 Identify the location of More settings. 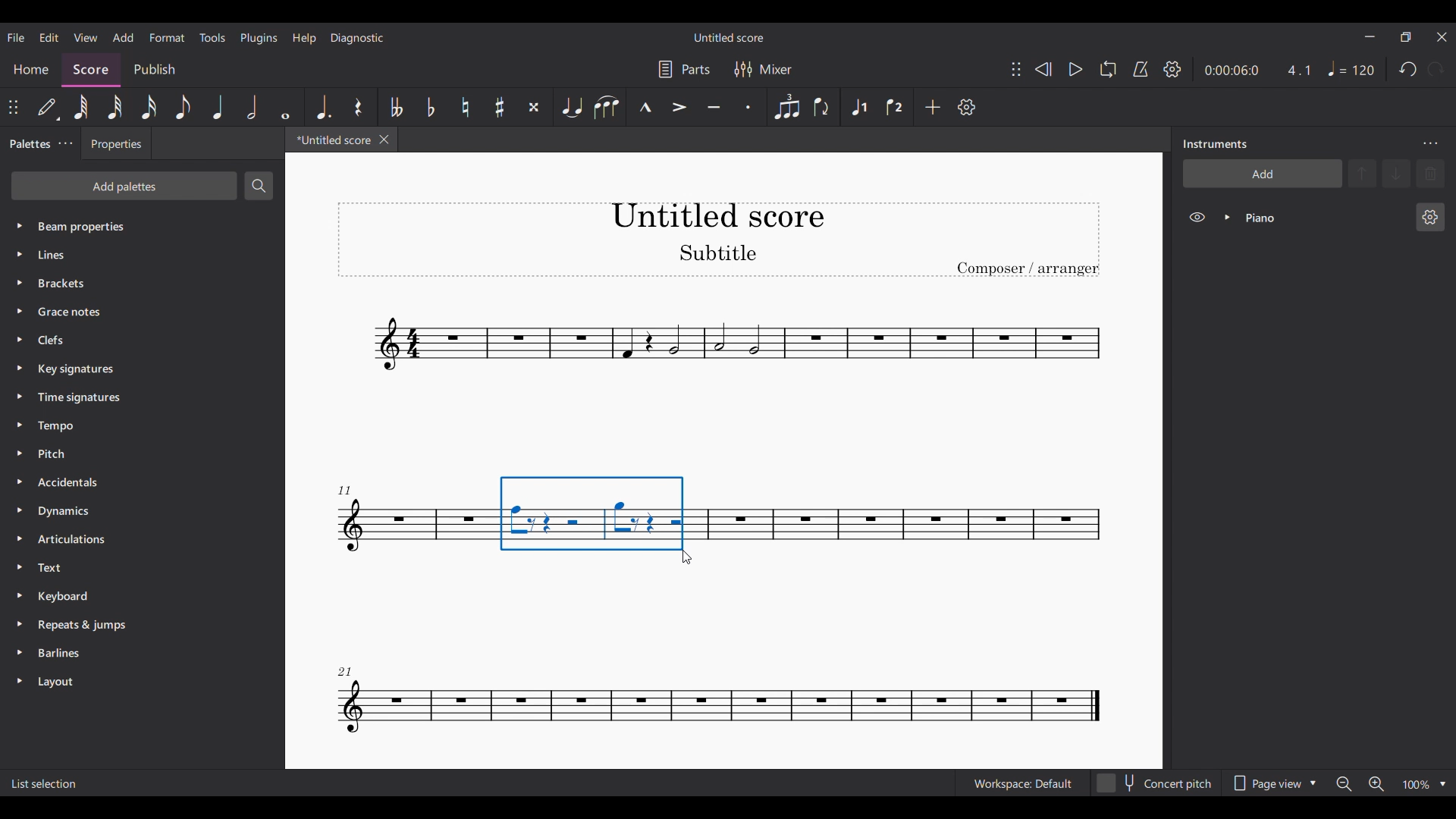
(65, 144).